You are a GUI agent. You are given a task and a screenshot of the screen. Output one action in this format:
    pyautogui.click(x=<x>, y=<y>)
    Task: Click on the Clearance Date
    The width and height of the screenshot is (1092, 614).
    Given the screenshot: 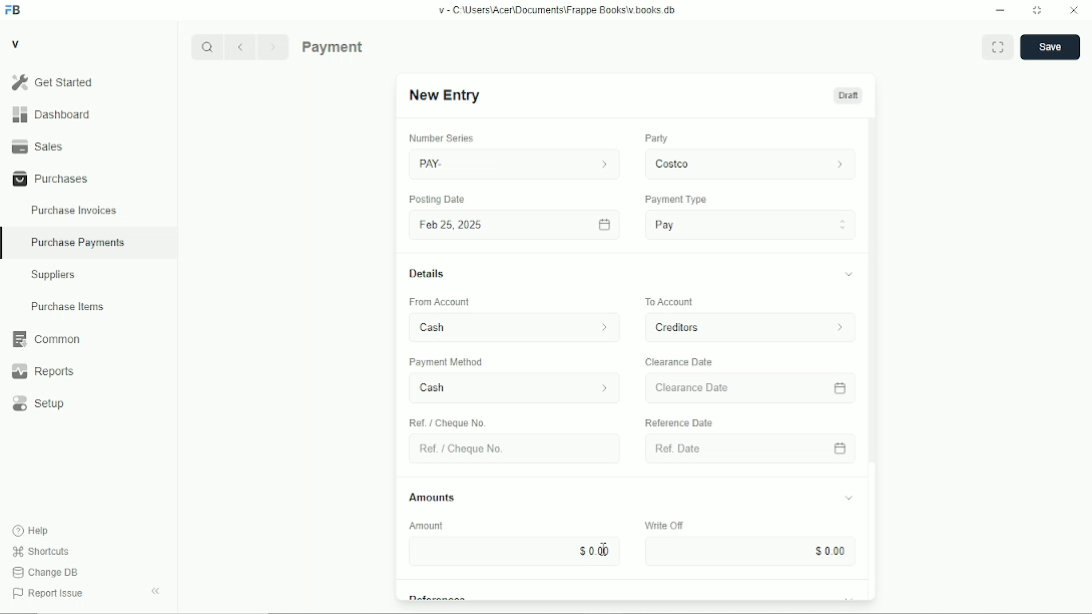 What is the action you would take?
    pyautogui.click(x=683, y=362)
    